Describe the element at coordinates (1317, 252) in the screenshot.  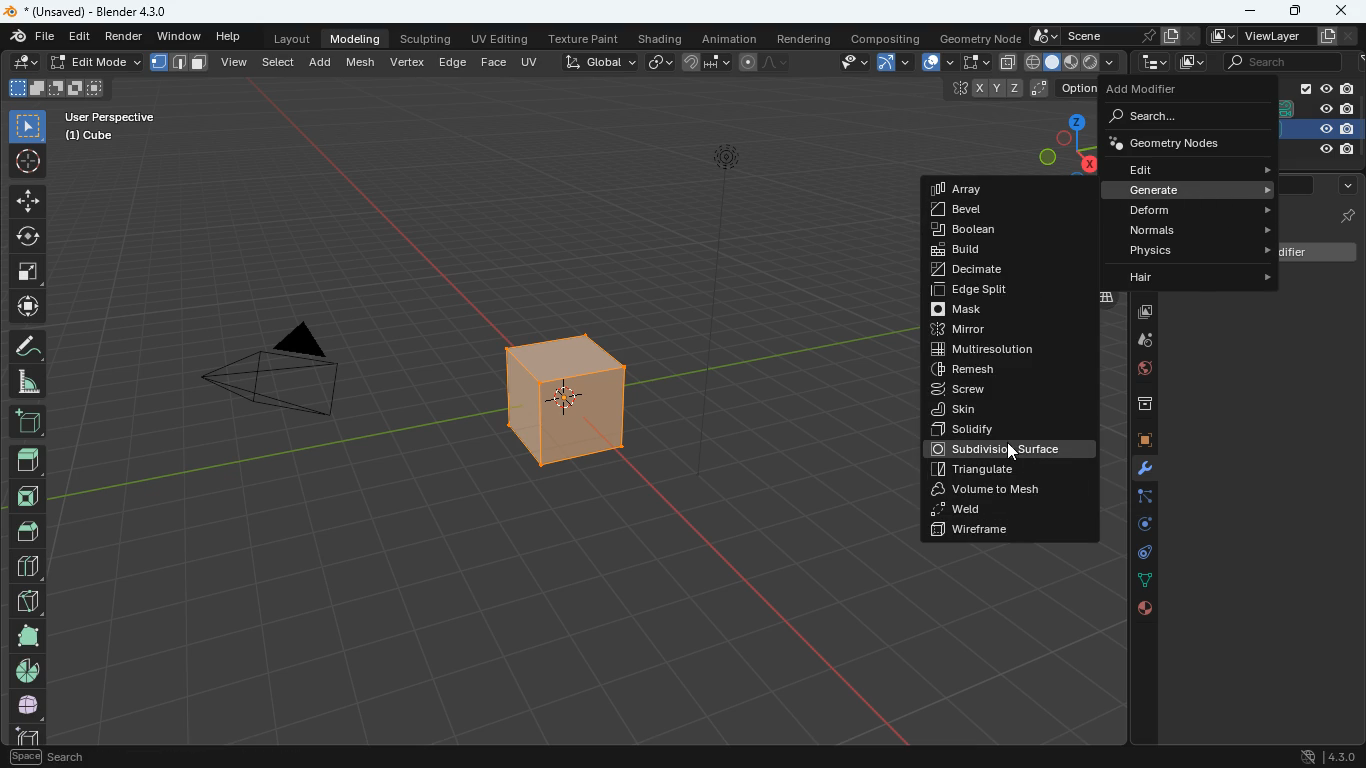
I see `add modifiet` at that location.